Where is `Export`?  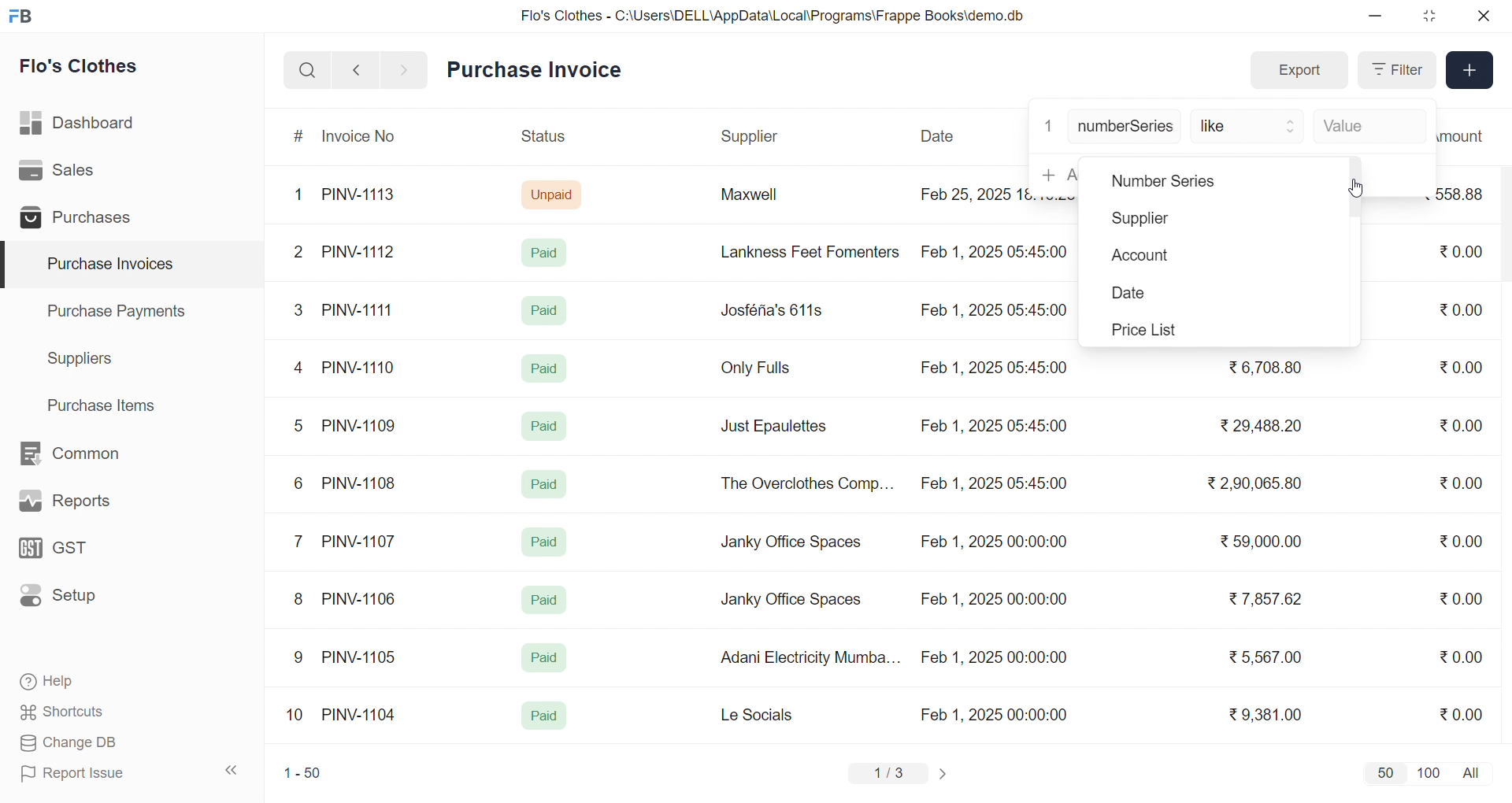
Export is located at coordinates (1299, 71).